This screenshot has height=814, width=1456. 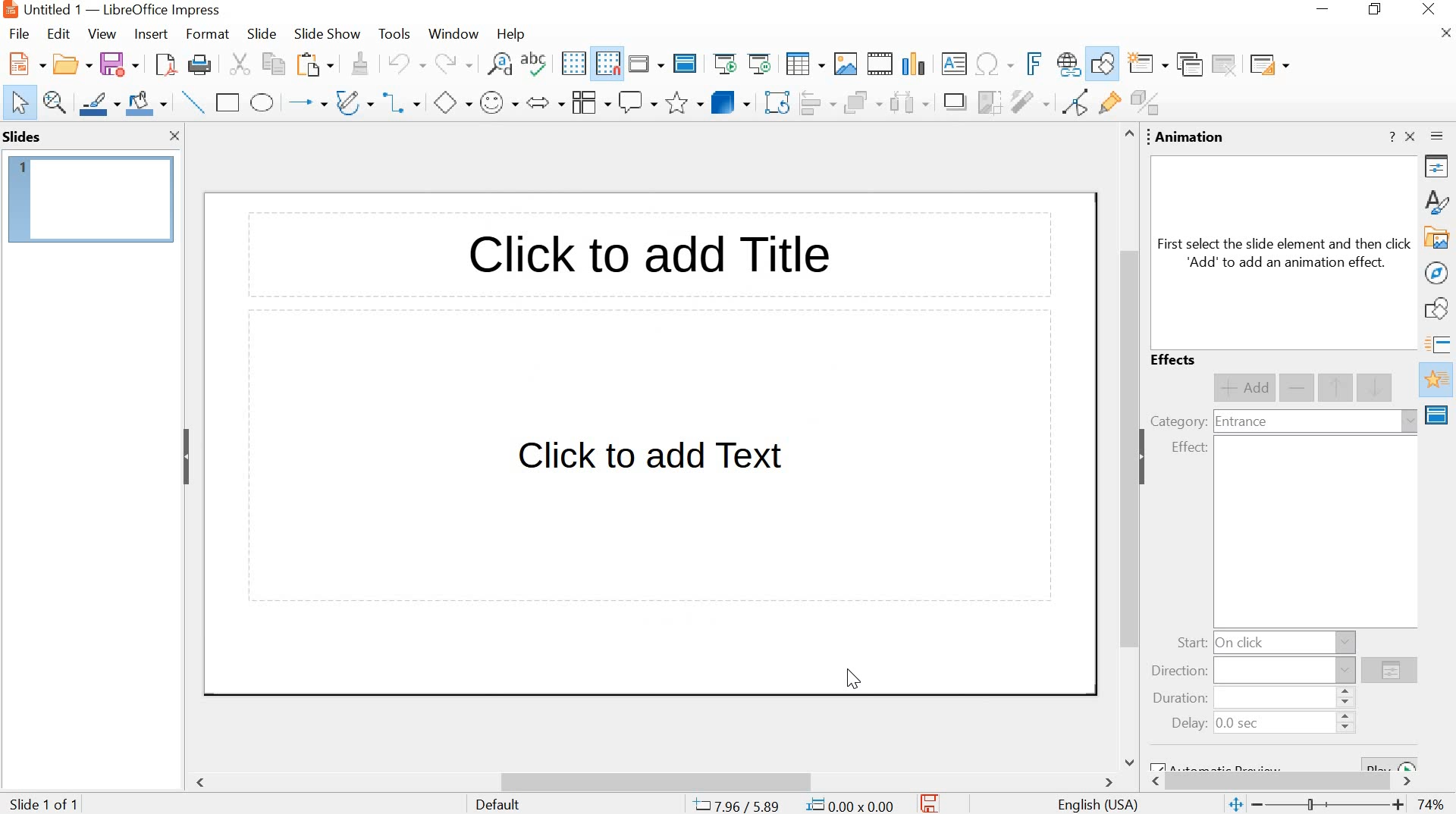 What do you see at coordinates (1243, 642) in the screenshot?
I see `on click` at bounding box center [1243, 642].